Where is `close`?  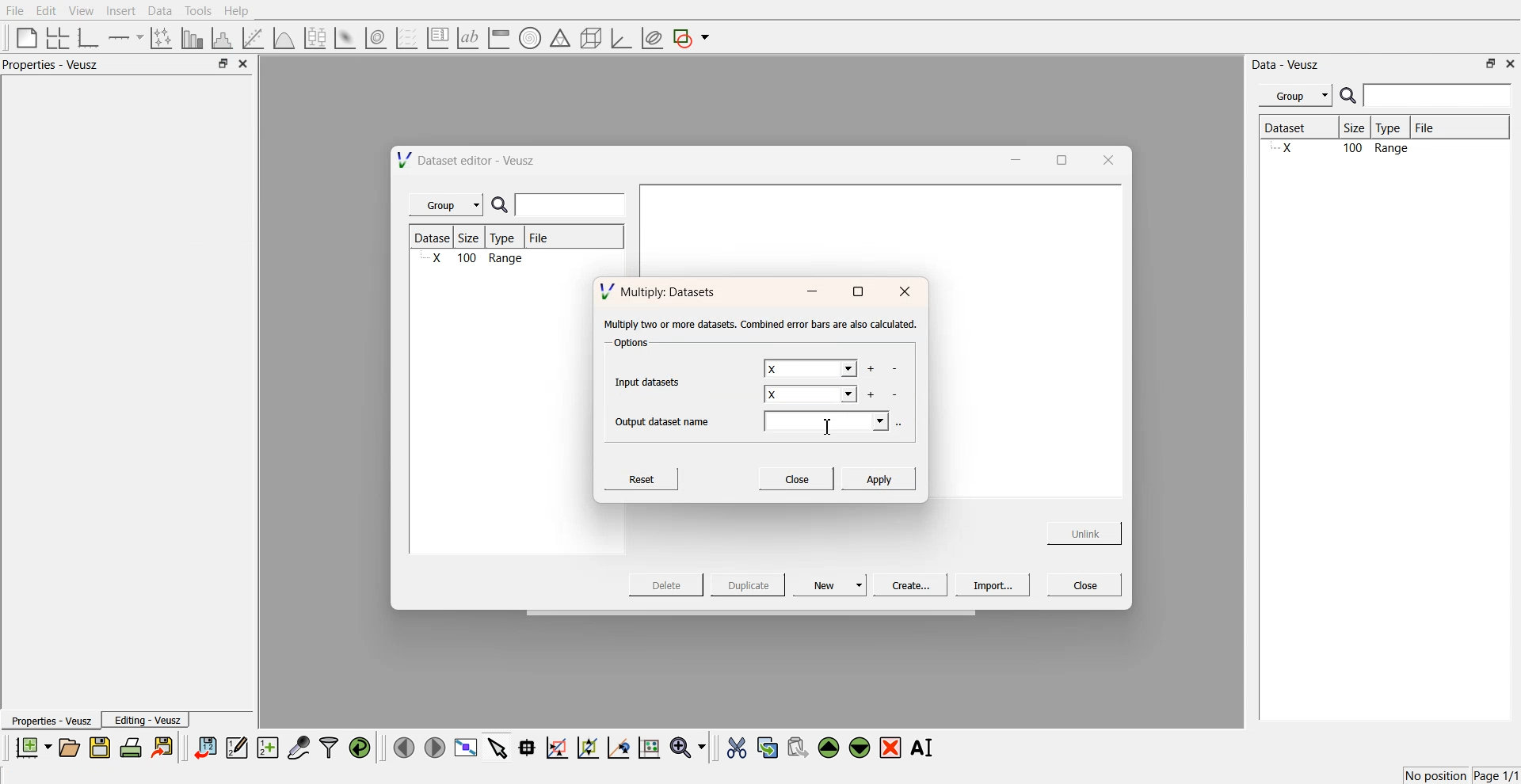
close is located at coordinates (905, 292).